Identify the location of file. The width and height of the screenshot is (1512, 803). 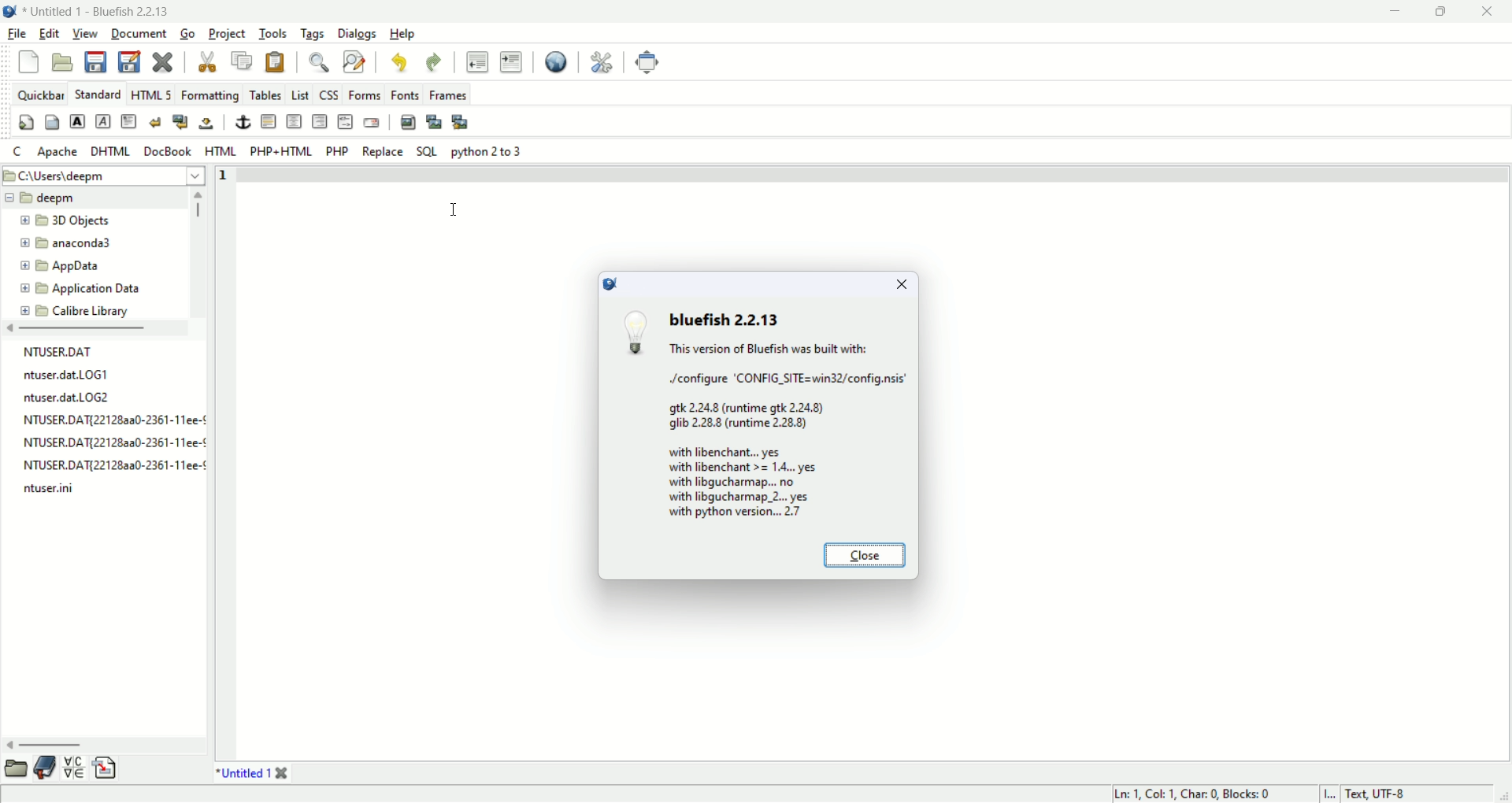
(15, 34).